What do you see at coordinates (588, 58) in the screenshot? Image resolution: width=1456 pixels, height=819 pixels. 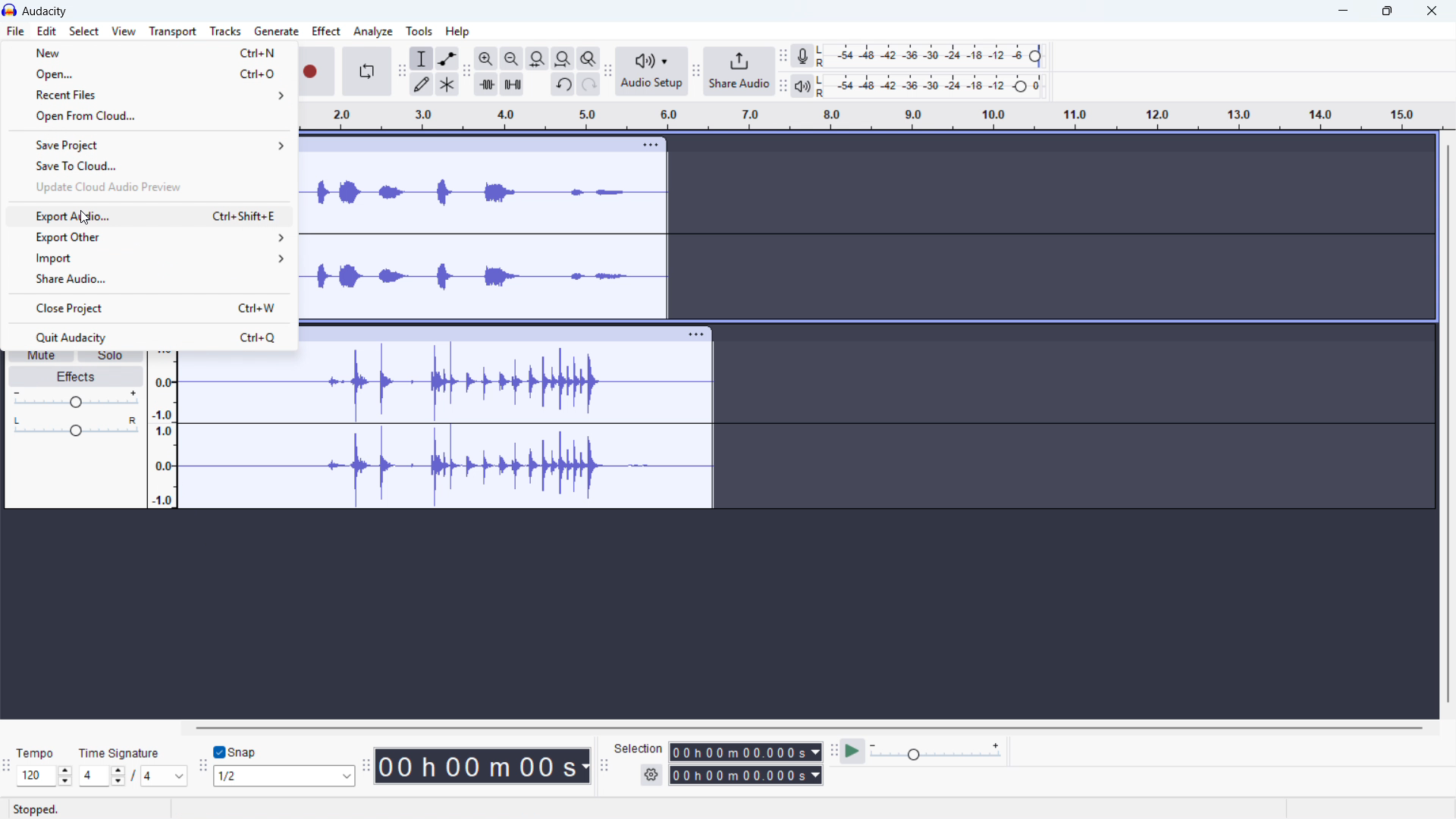 I see `Toggle zoom ` at bounding box center [588, 58].